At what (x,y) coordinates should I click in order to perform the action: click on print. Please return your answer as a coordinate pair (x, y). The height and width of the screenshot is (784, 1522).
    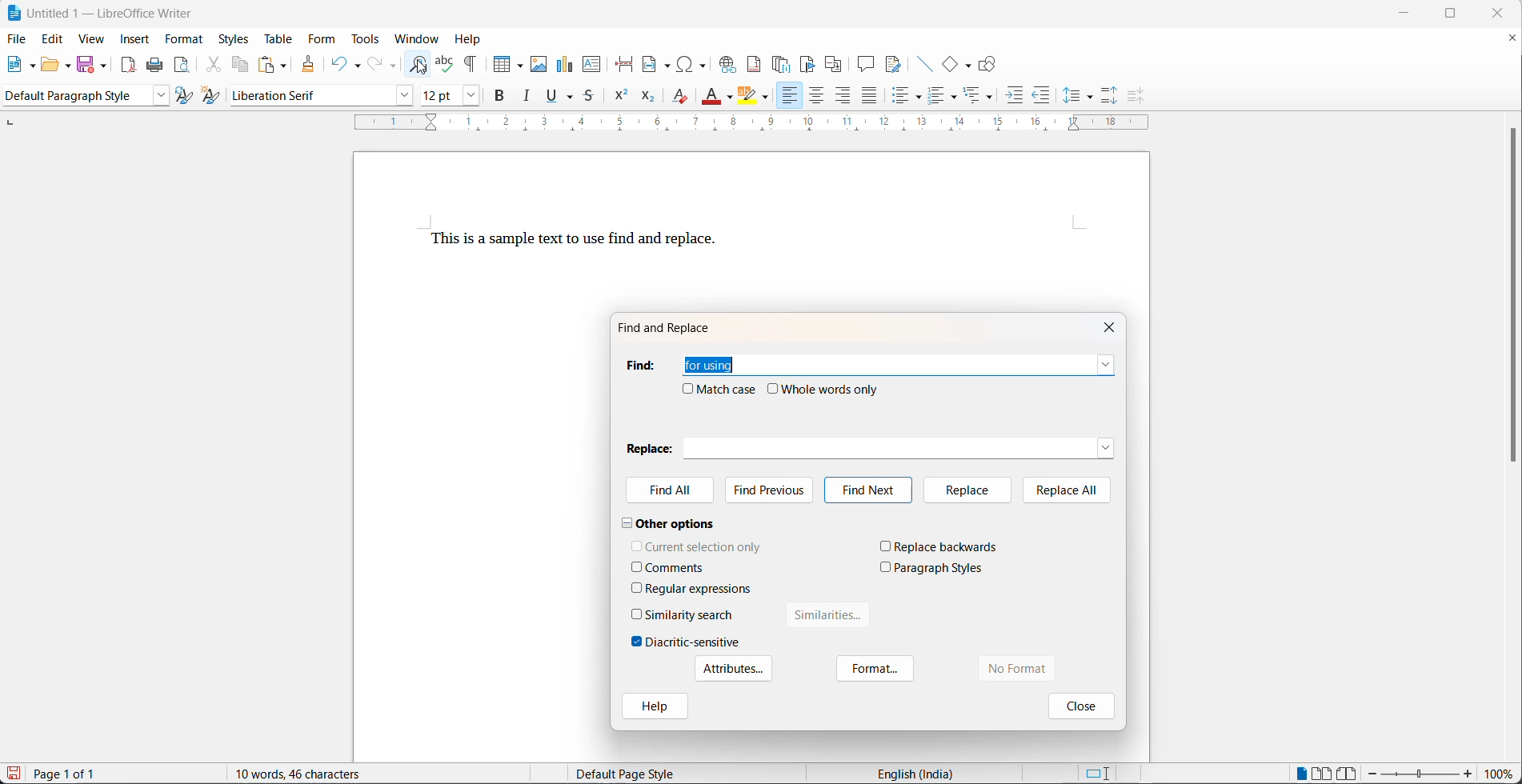
    Looking at the image, I should click on (158, 66).